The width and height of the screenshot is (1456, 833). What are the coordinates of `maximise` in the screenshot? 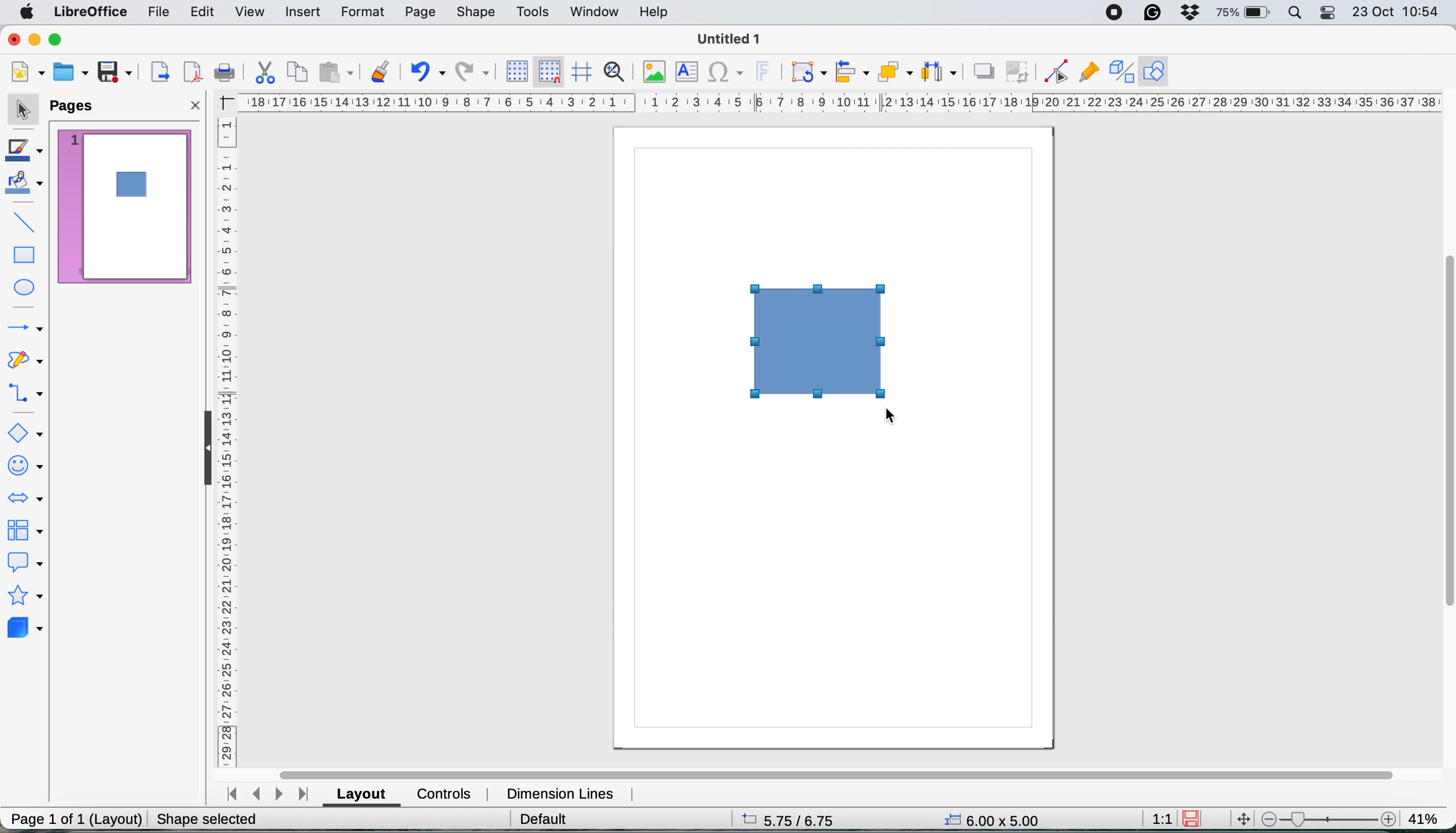 It's located at (55, 37).